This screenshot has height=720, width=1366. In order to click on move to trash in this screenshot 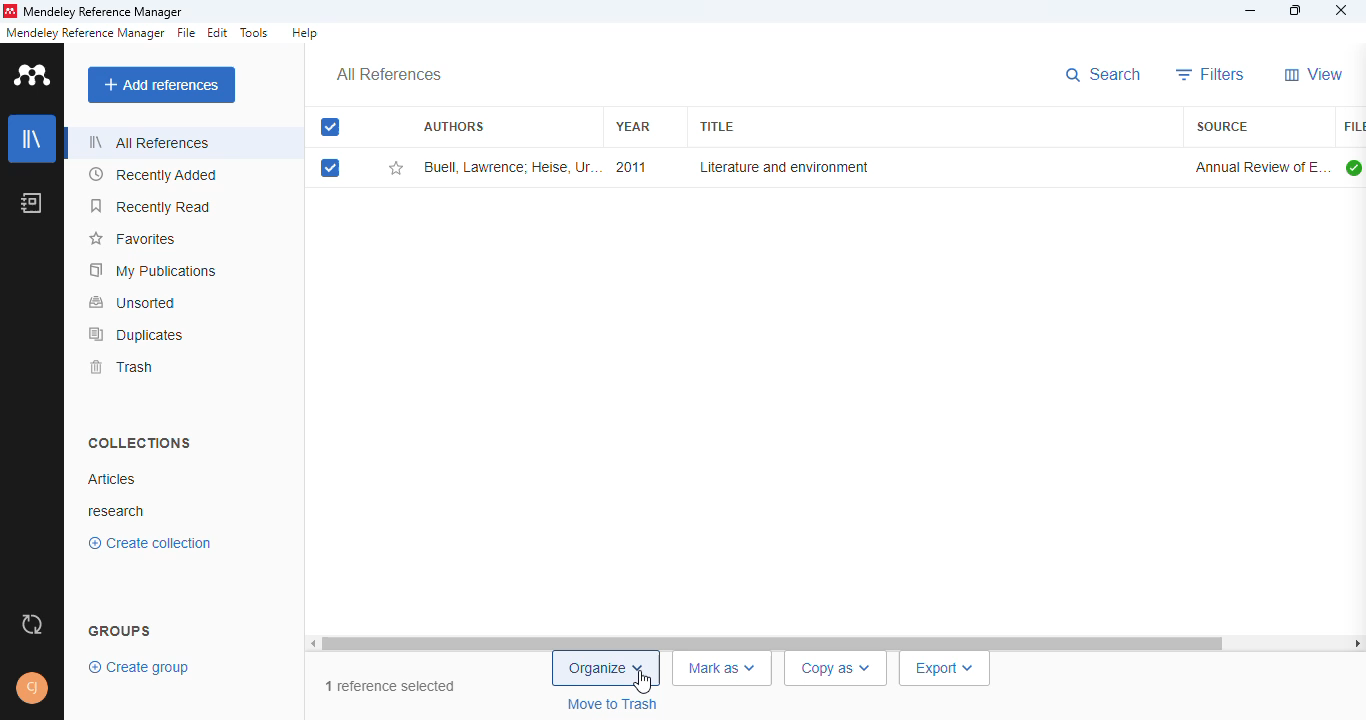, I will do `click(613, 705)`.